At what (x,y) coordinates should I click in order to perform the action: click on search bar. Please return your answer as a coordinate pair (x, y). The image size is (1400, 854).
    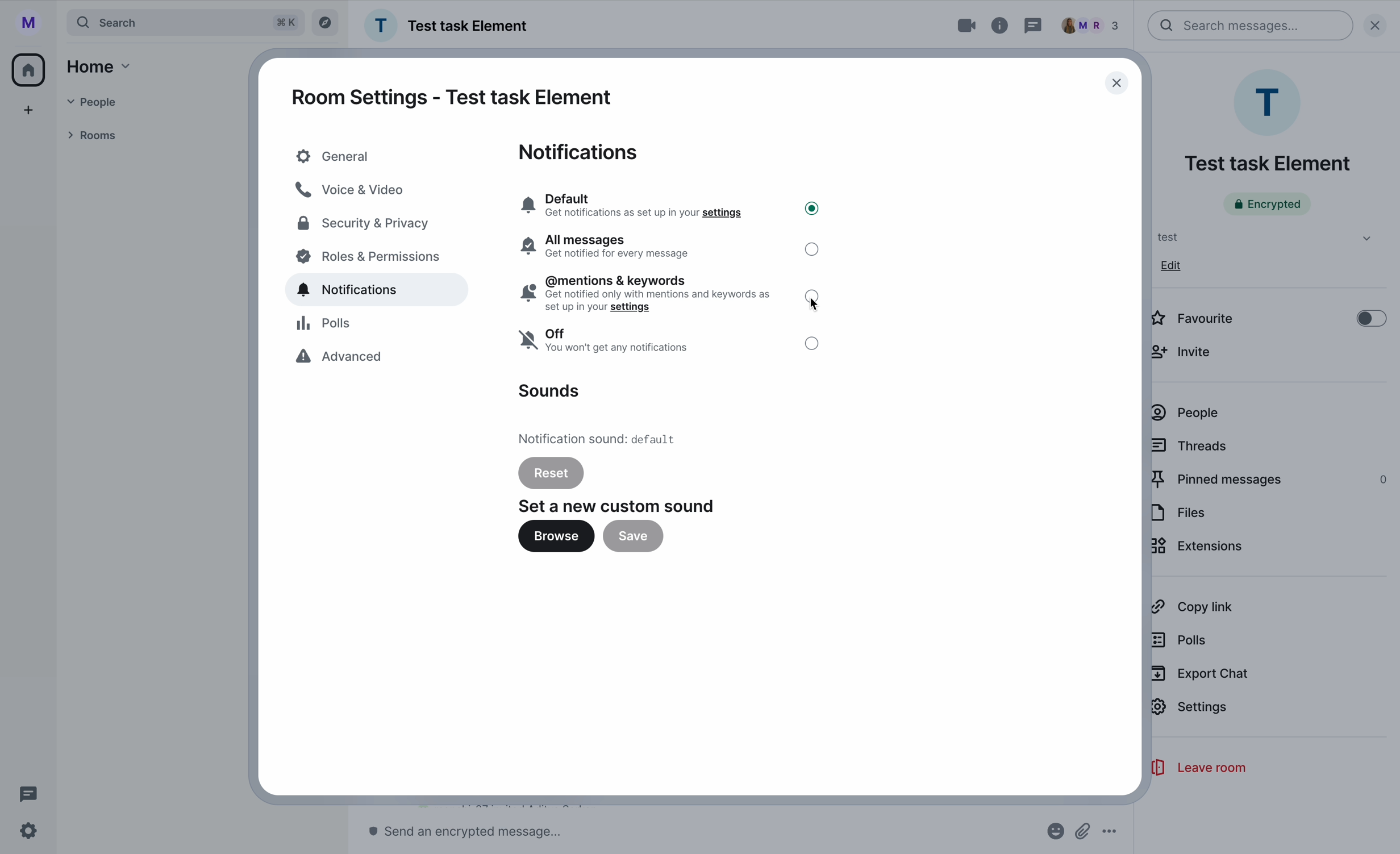
    Looking at the image, I should click on (186, 22).